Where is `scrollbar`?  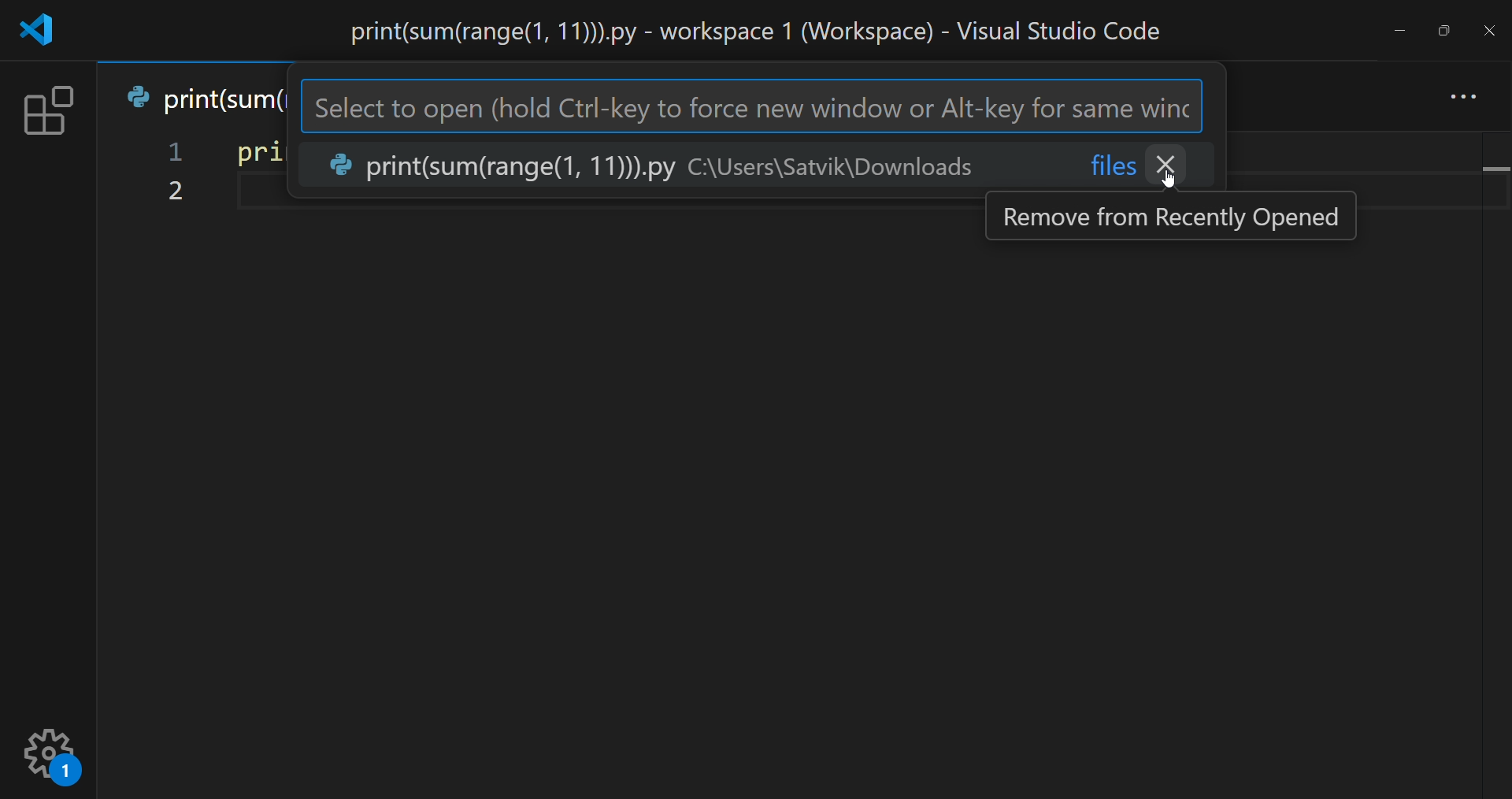
scrollbar is located at coordinates (1492, 451).